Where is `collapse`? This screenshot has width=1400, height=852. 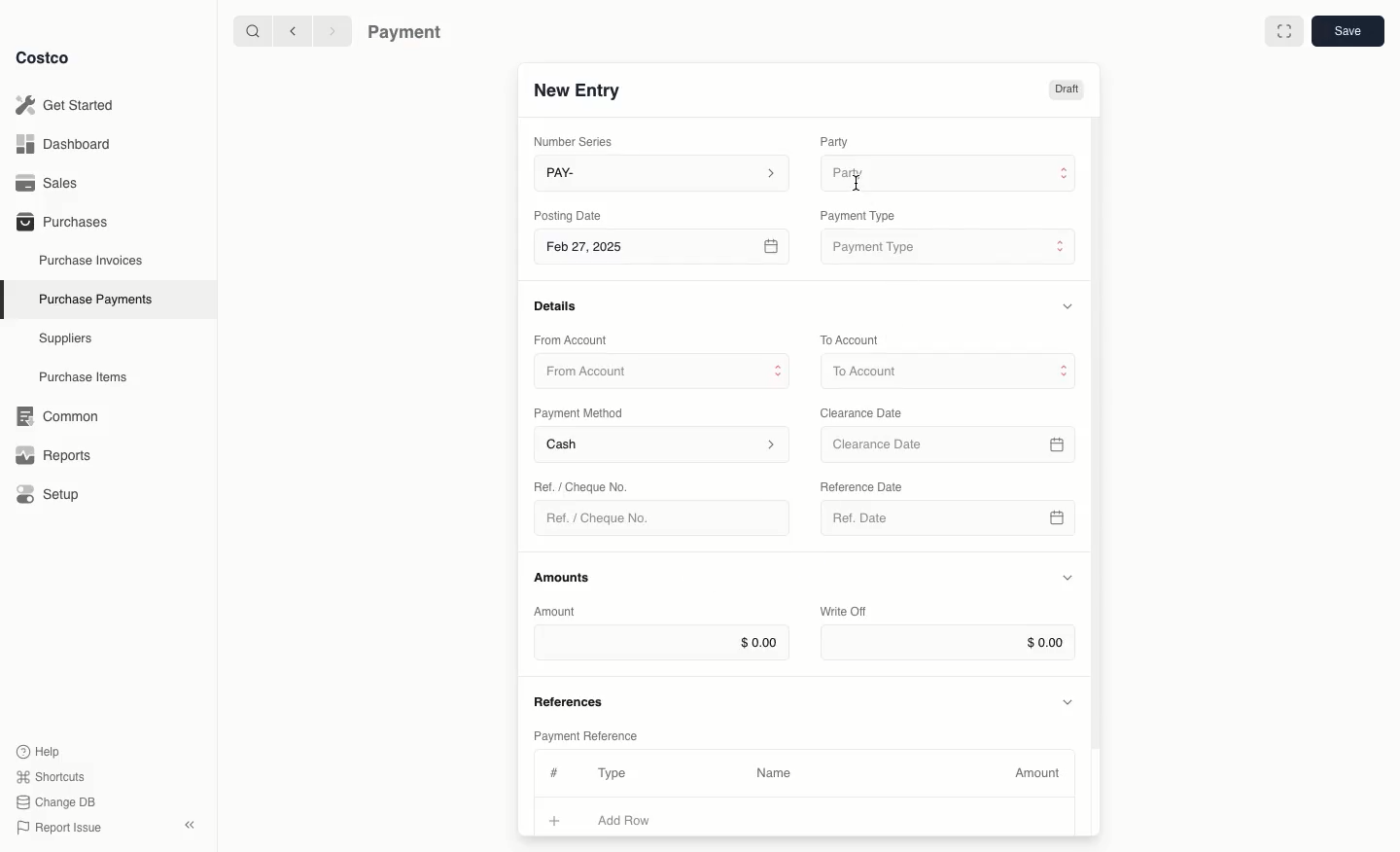 collapse is located at coordinates (189, 825).